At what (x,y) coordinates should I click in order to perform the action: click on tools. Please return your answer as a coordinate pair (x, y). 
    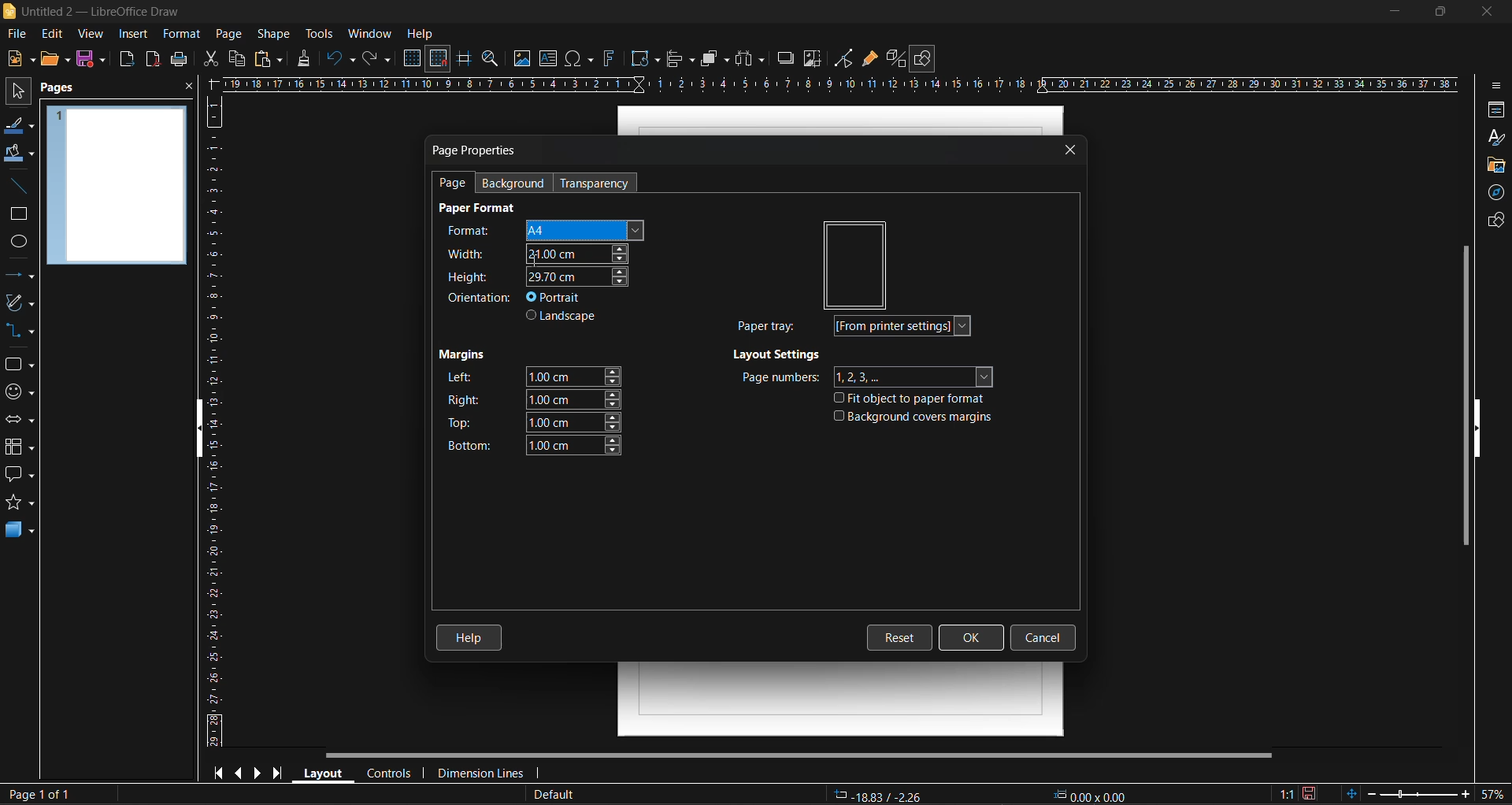
    Looking at the image, I should click on (320, 33).